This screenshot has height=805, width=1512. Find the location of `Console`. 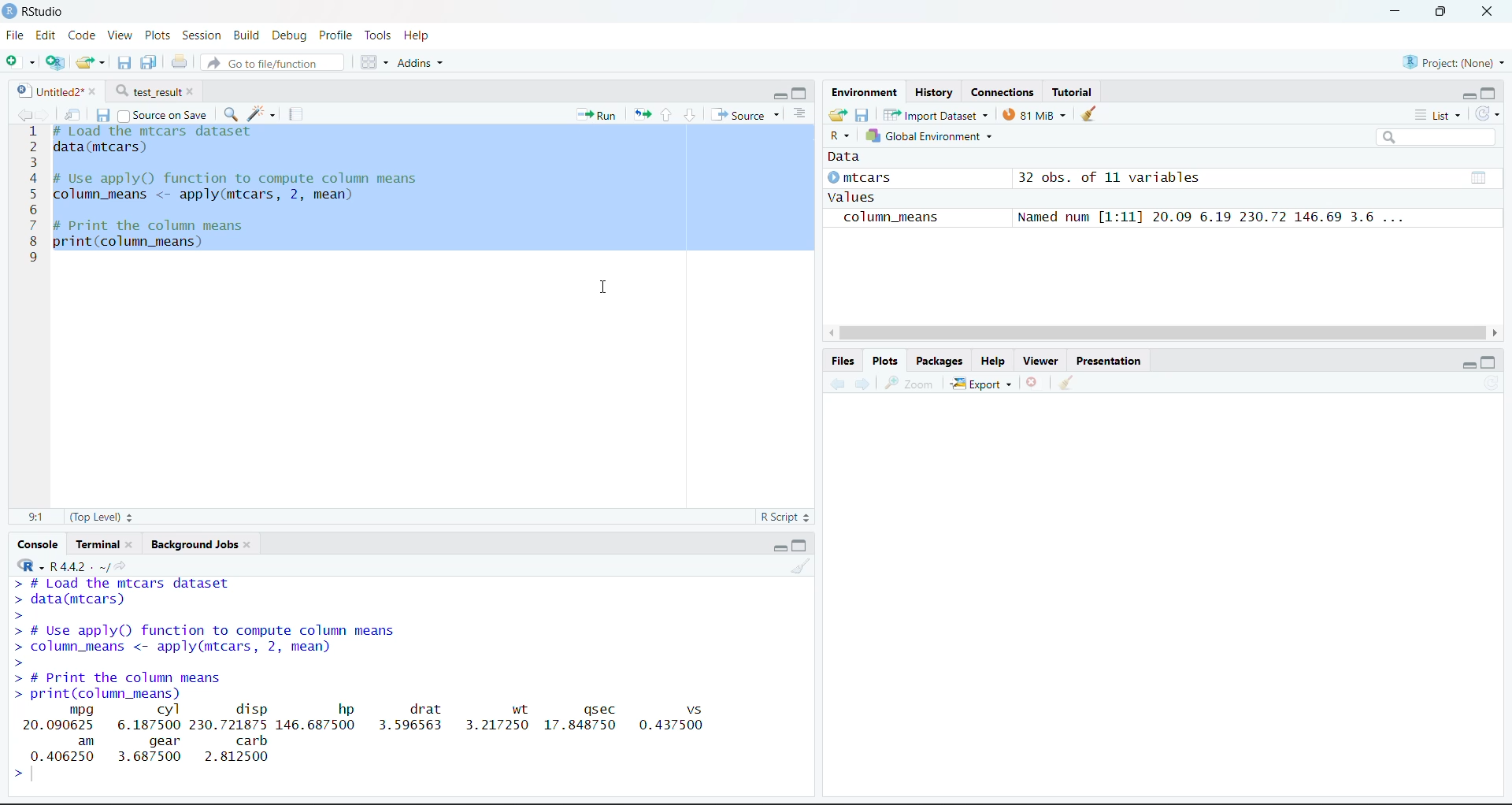

Console is located at coordinates (39, 545).